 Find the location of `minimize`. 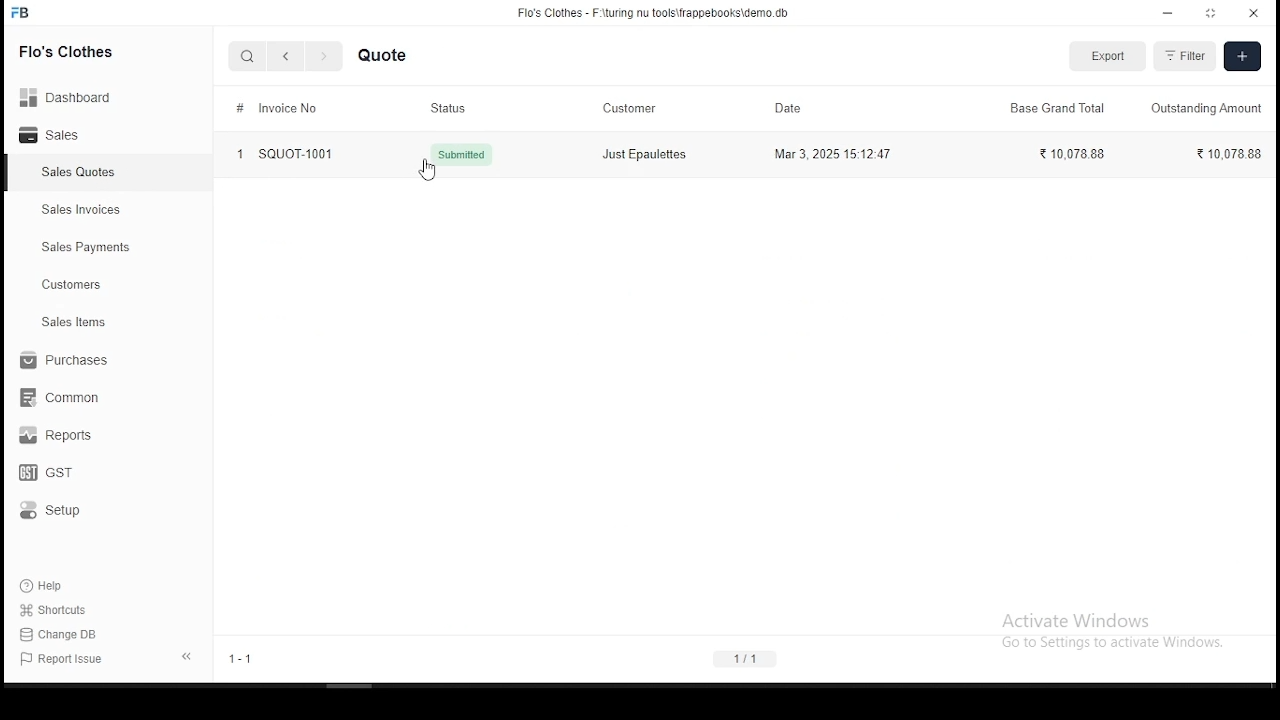

minimize is located at coordinates (1163, 13).